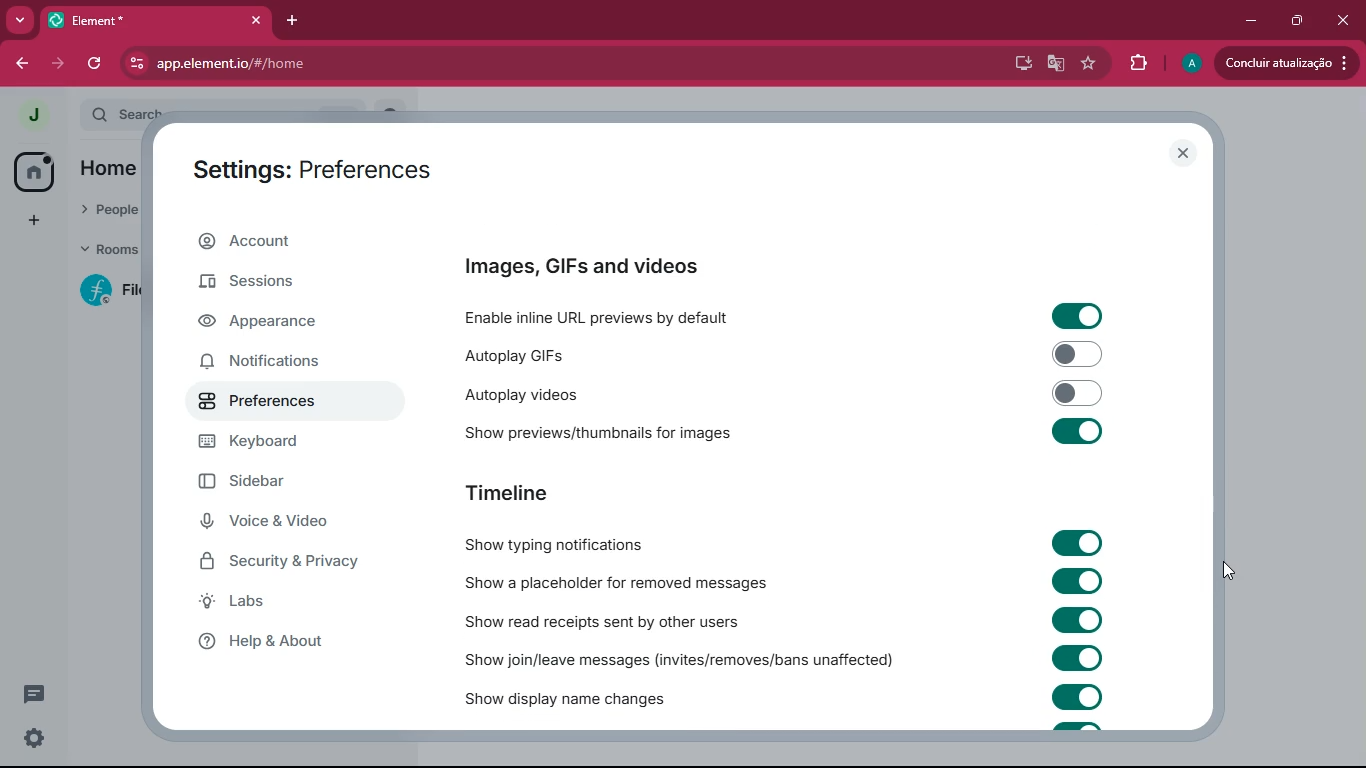  I want to click on toggle on/off, so click(1078, 354).